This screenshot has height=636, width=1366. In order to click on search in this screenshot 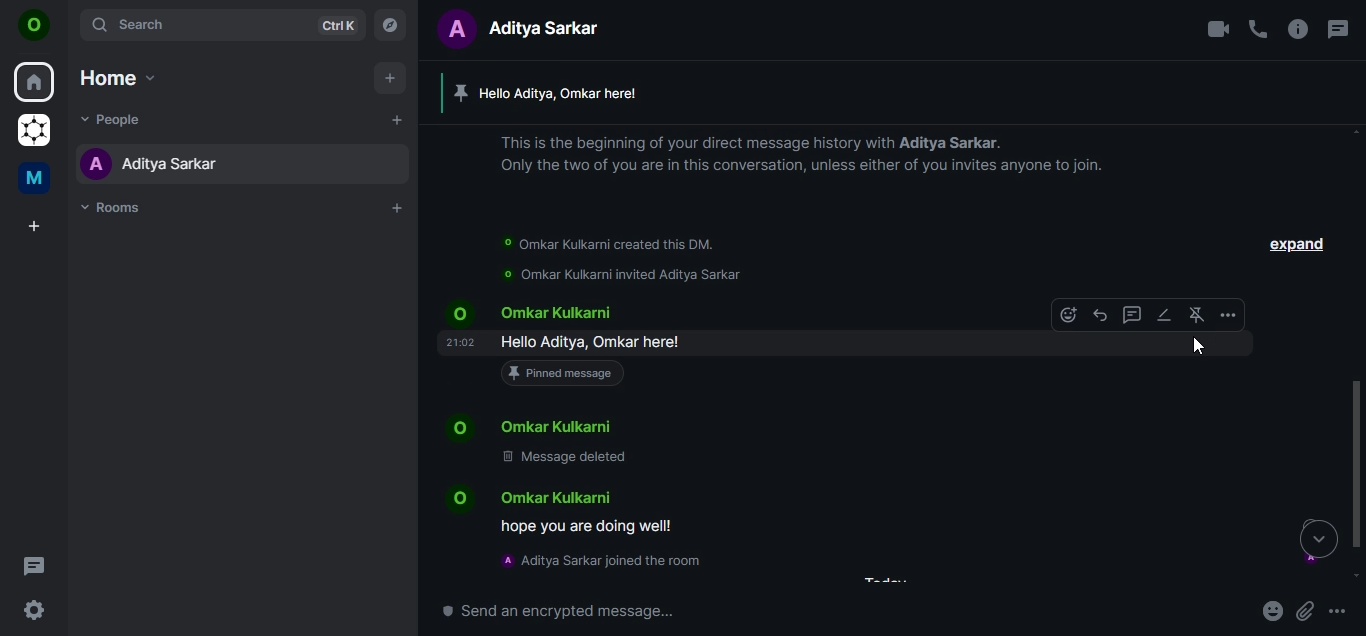, I will do `click(222, 24)`.